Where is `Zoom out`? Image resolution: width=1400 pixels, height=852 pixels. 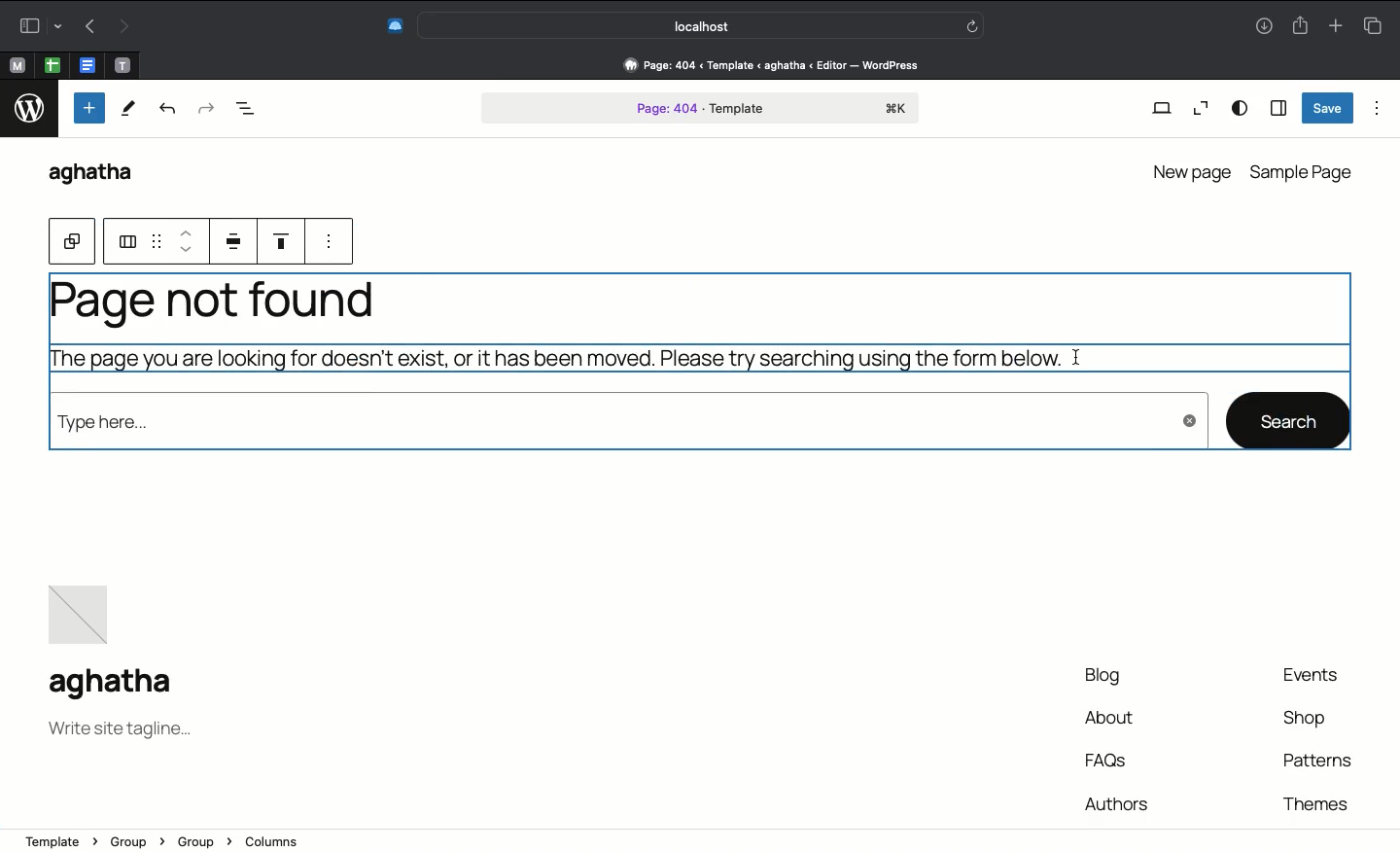
Zoom out is located at coordinates (1198, 109).